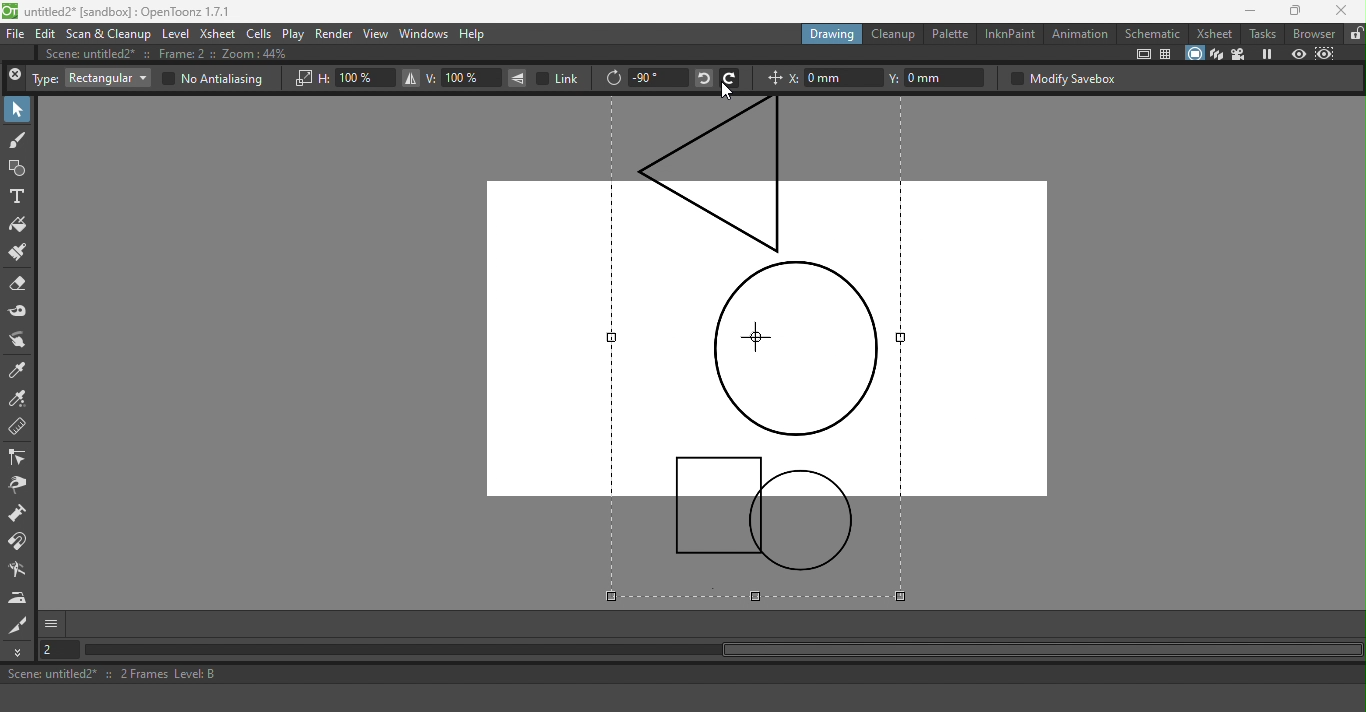  I want to click on Cursor, so click(726, 91).